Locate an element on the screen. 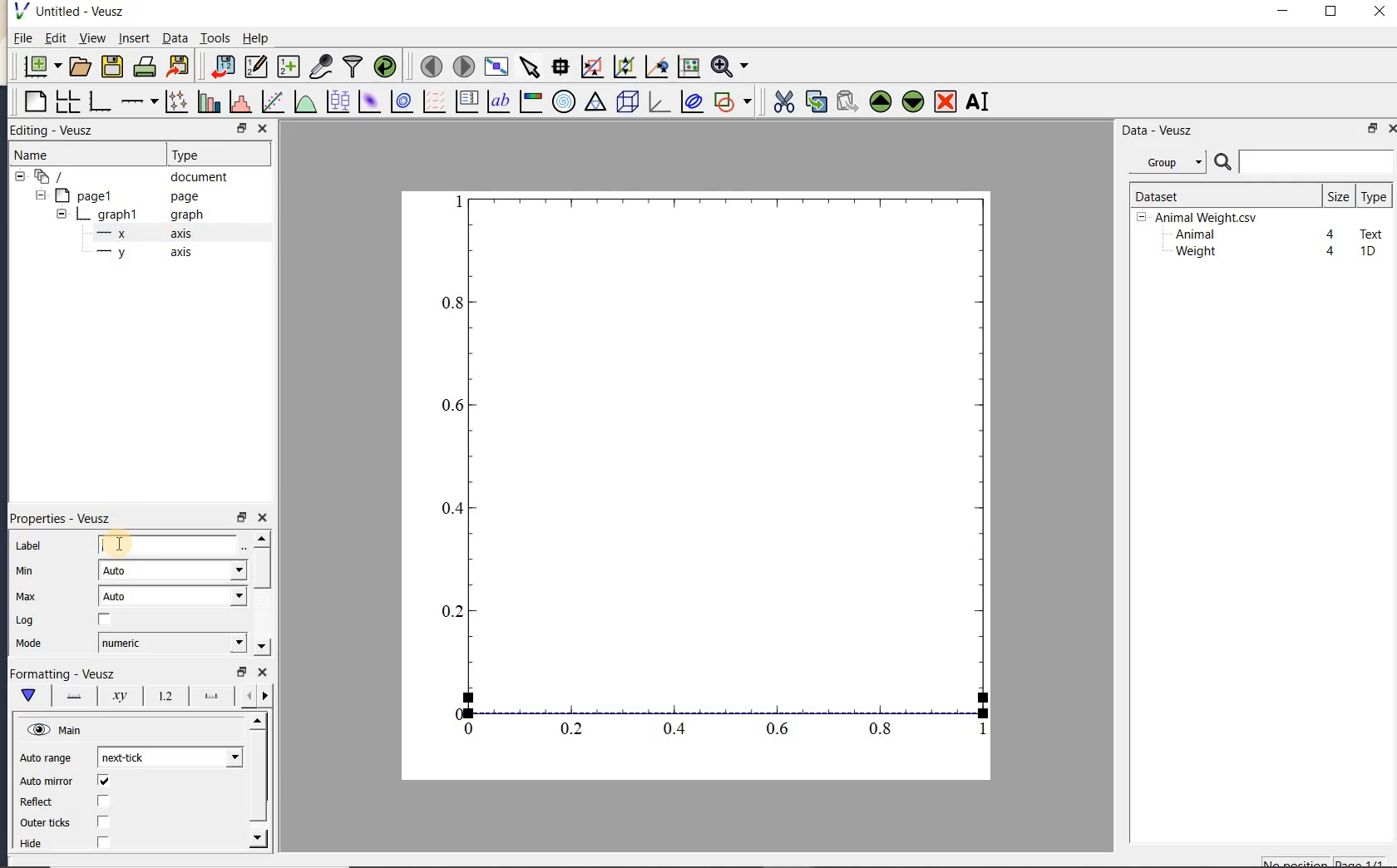  view plot full screen is located at coordinates (496, 67).